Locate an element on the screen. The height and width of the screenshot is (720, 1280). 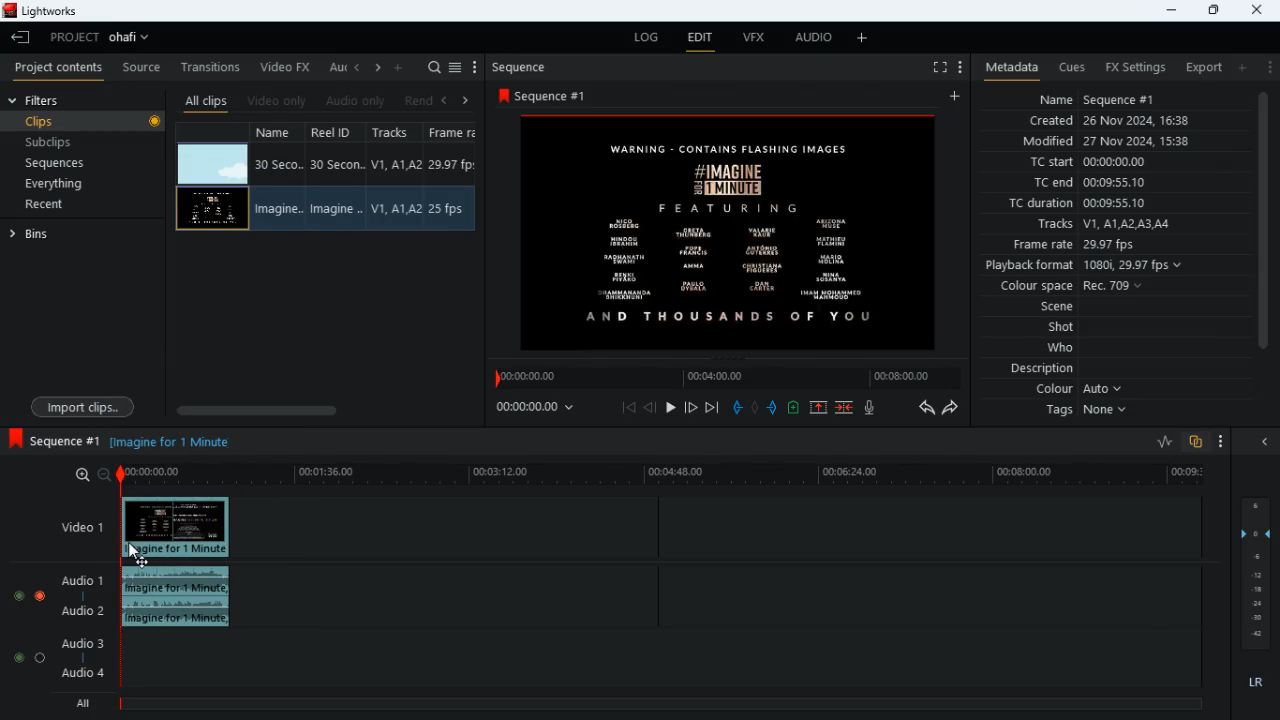
 image is located at coordinates (731, 231).